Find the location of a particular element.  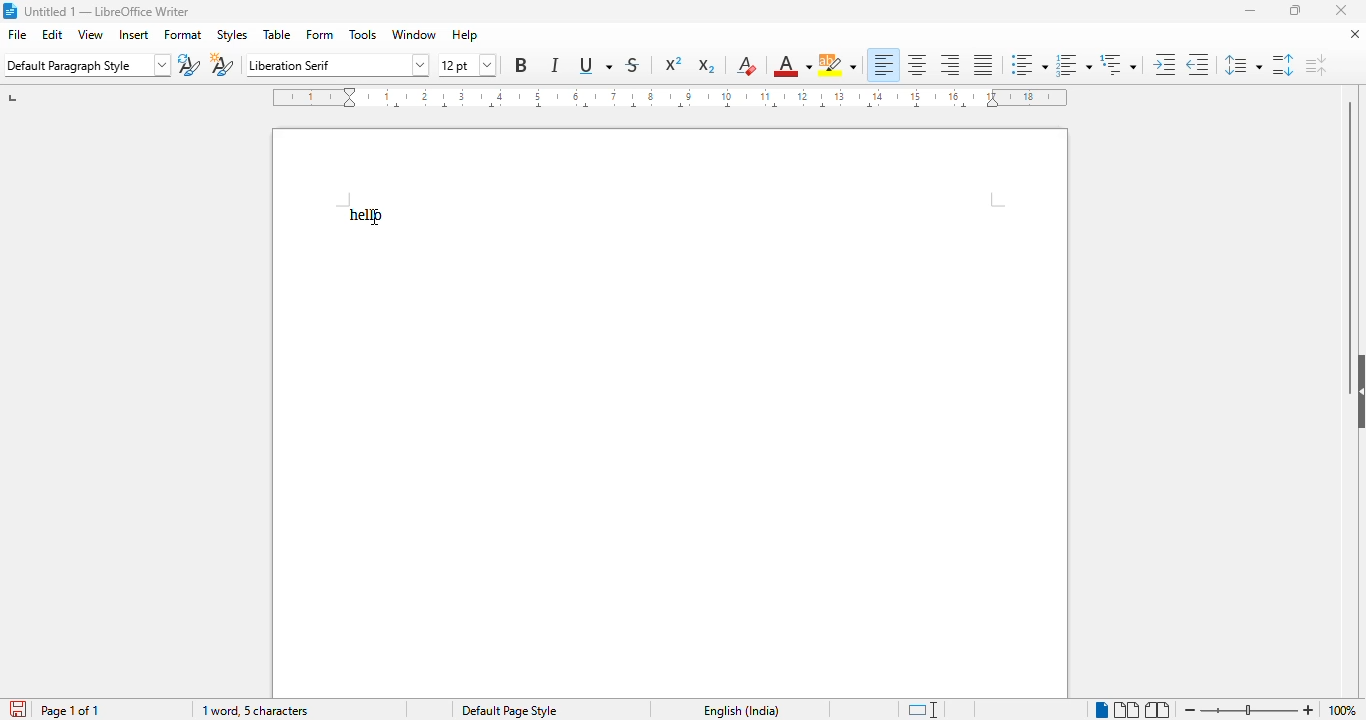

view is located at coordinates (90, 34).